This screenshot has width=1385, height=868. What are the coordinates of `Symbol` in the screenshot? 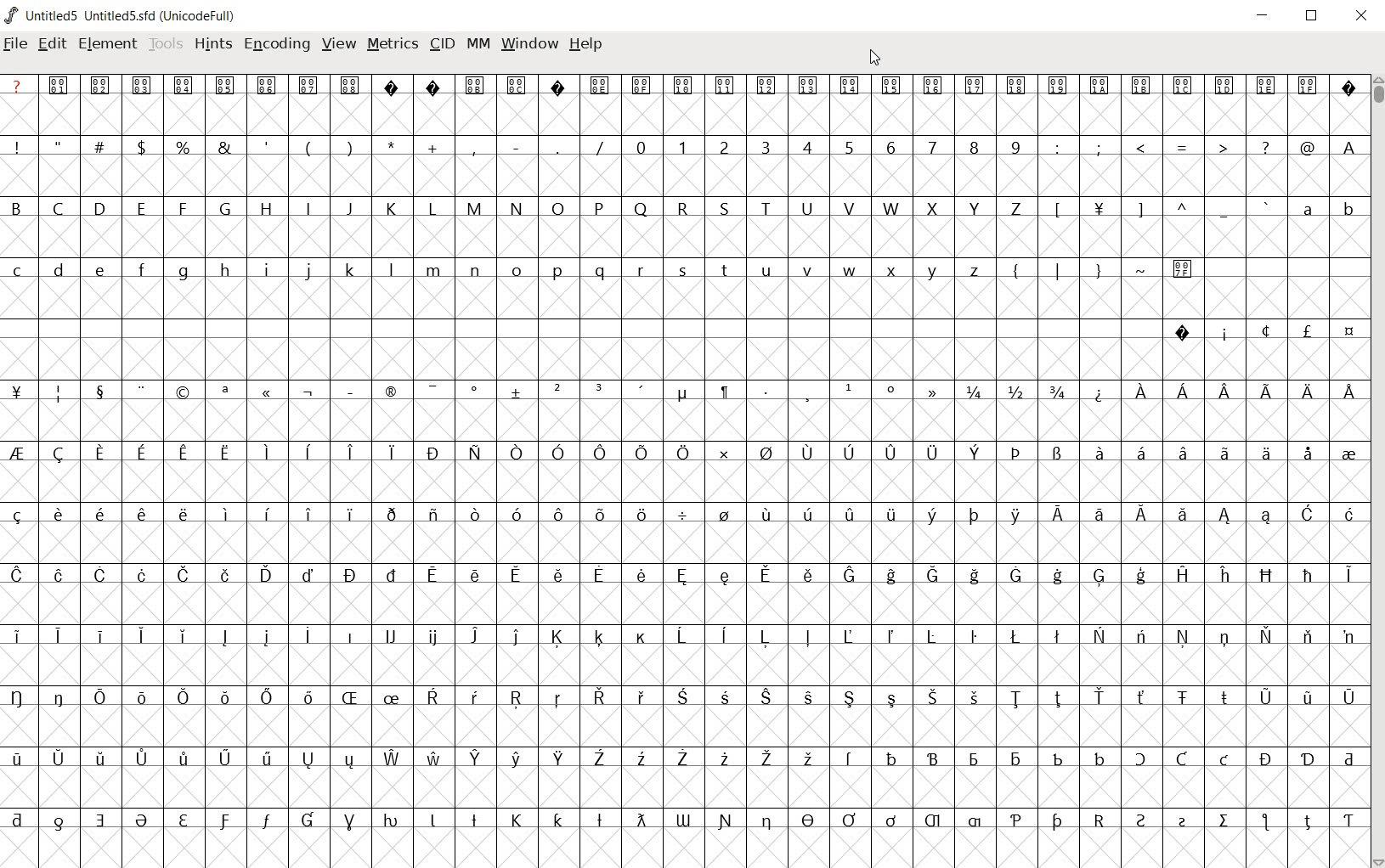 It's located at (59, 454).